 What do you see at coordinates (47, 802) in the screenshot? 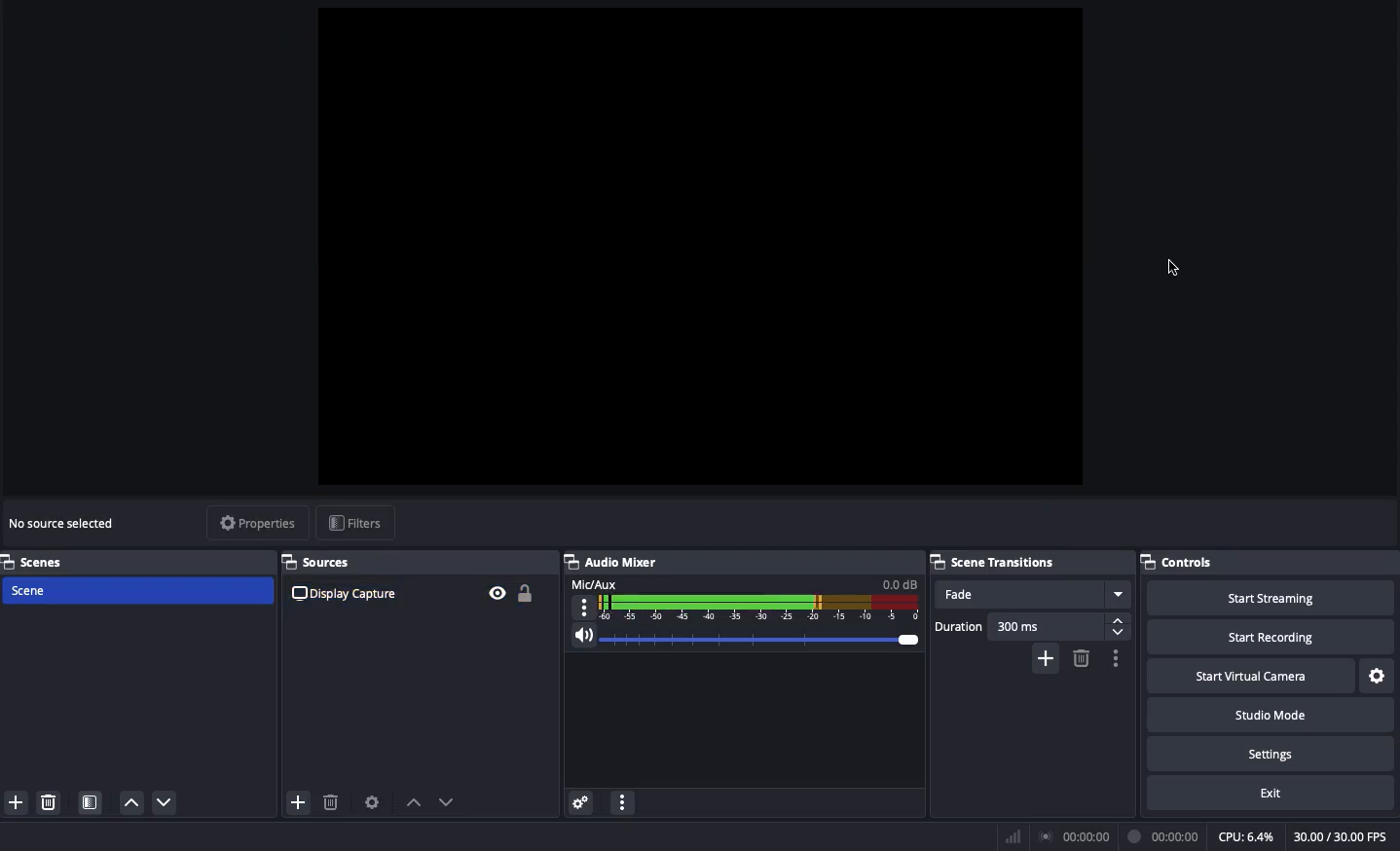
I see `Delete` at bounding box center [47, 802].